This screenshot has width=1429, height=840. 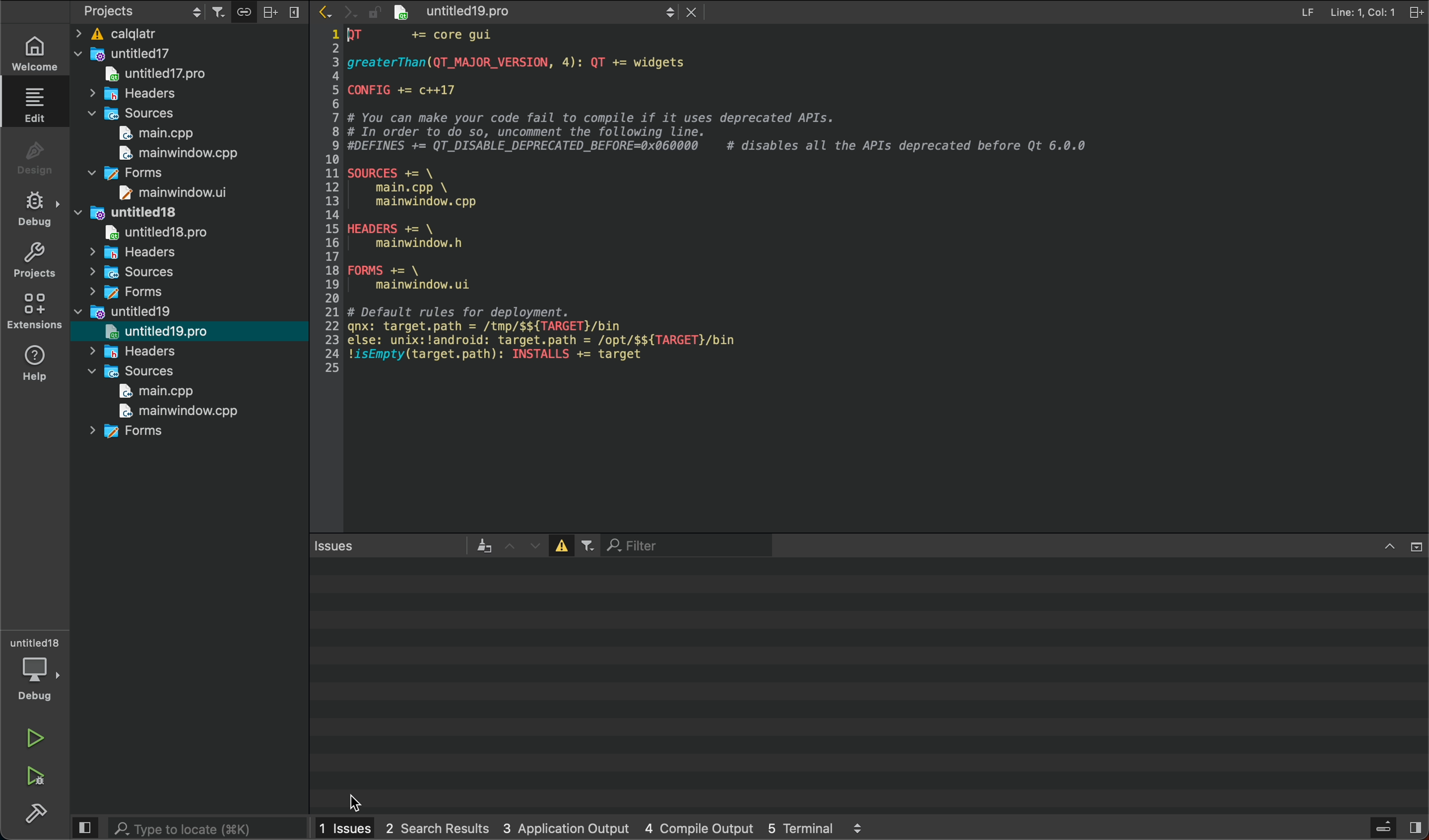 I want to click on untitled19, so click(x=126, y=311).